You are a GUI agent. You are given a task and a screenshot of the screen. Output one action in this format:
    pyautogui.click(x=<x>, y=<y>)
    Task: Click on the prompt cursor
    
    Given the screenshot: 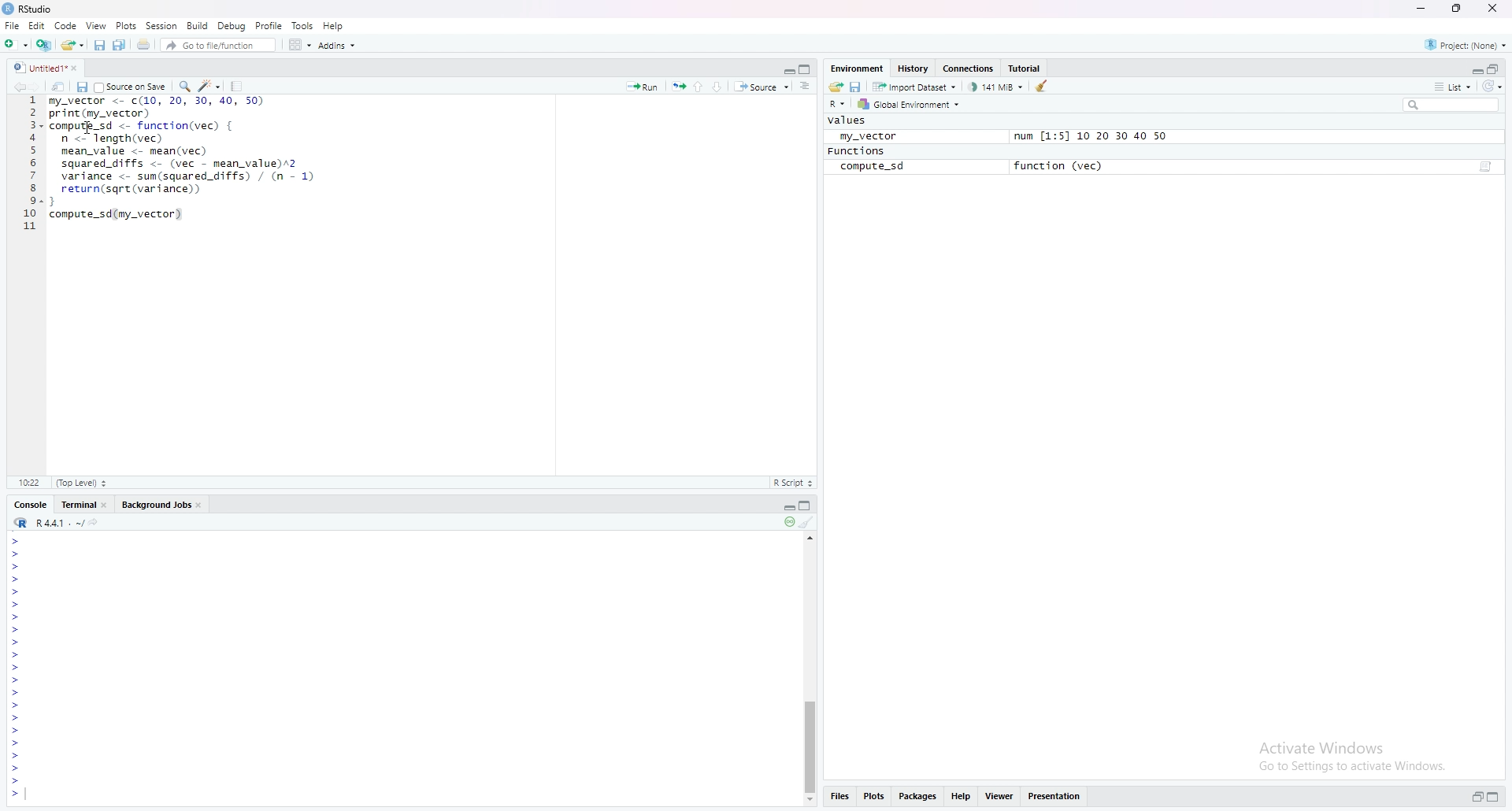 What is the action you would take?
    pyautogui.click(x=13, y=617)
    